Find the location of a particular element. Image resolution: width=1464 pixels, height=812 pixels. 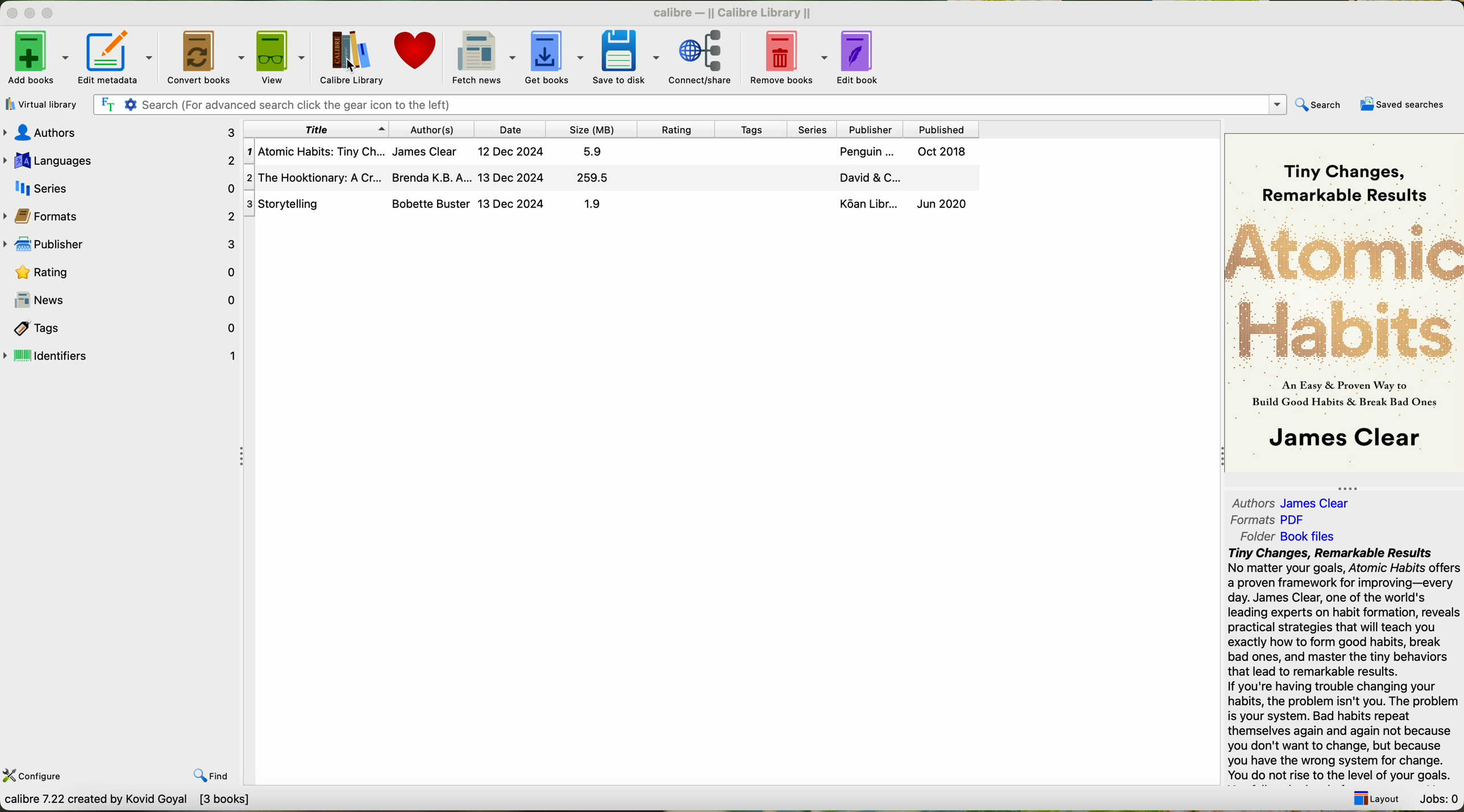

tags is located at coordinates (121, 328).